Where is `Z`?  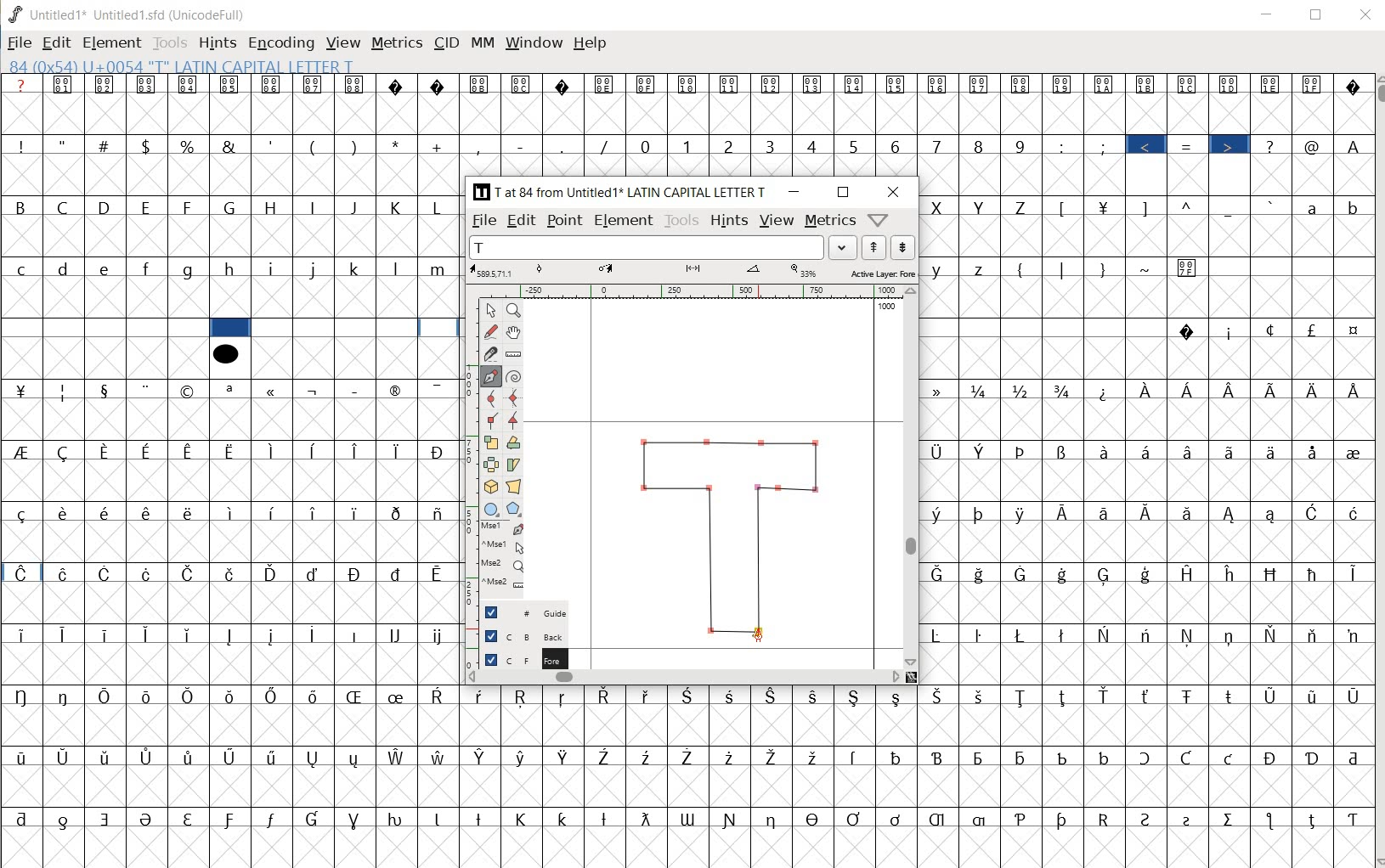 Z is located at coordinates (1024, 206).